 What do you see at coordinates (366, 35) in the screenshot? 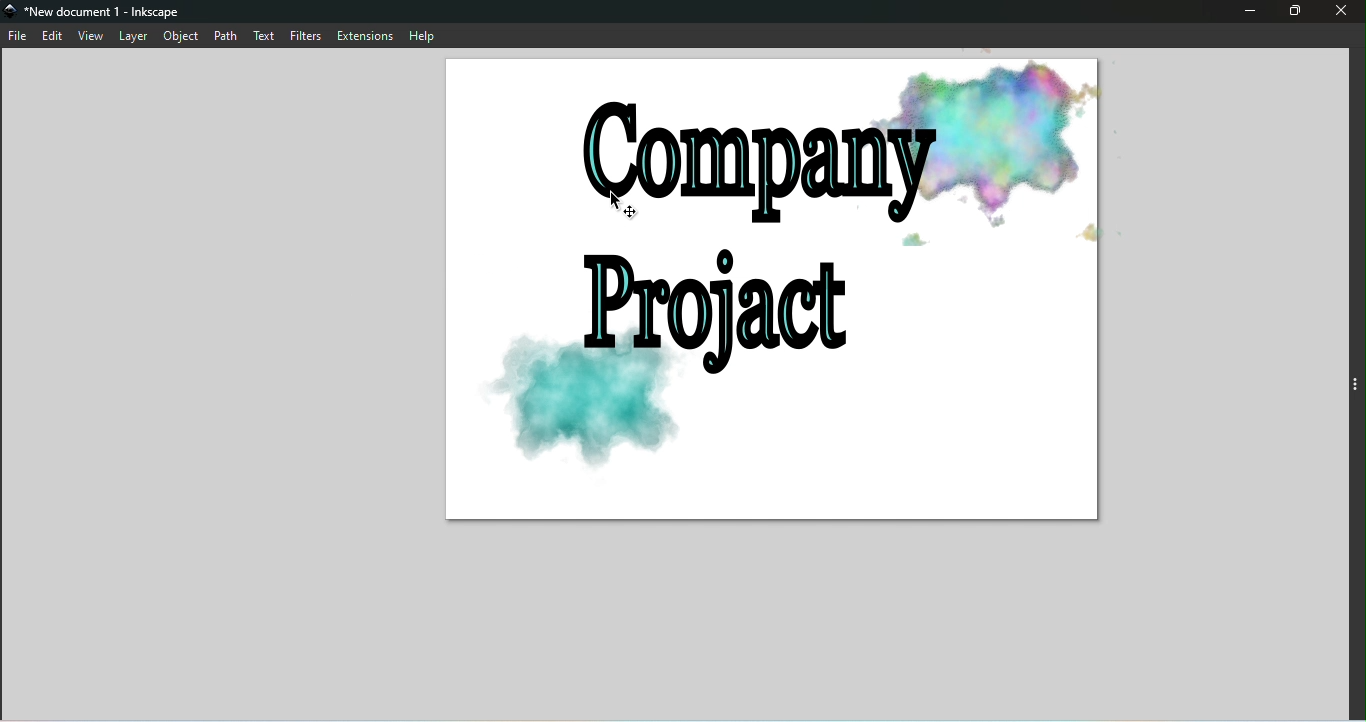
I see `Extensions` at bounding box center [366, 35].